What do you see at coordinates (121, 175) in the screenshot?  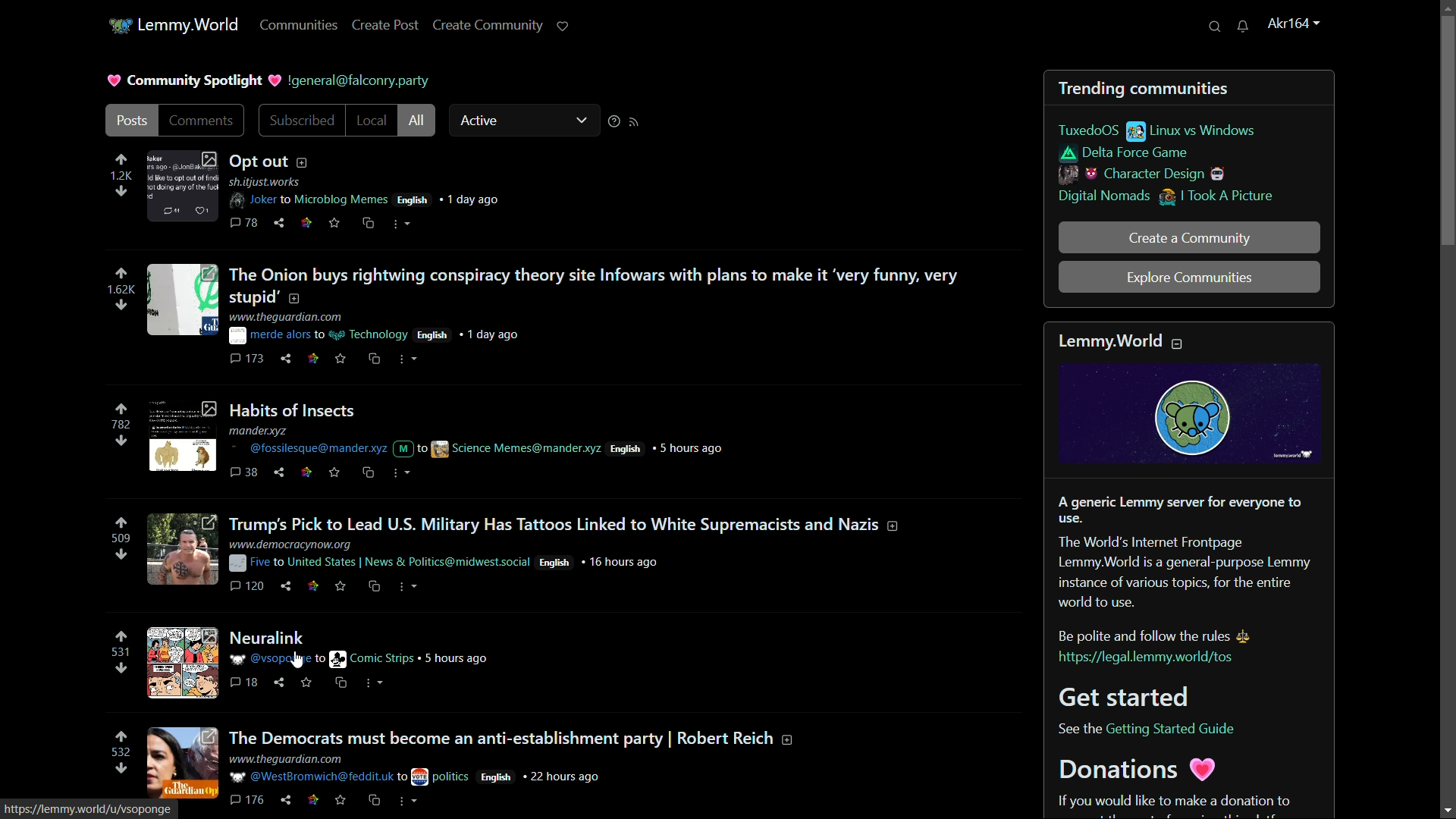 I see `number of votes` at bounding box center [121, 175].